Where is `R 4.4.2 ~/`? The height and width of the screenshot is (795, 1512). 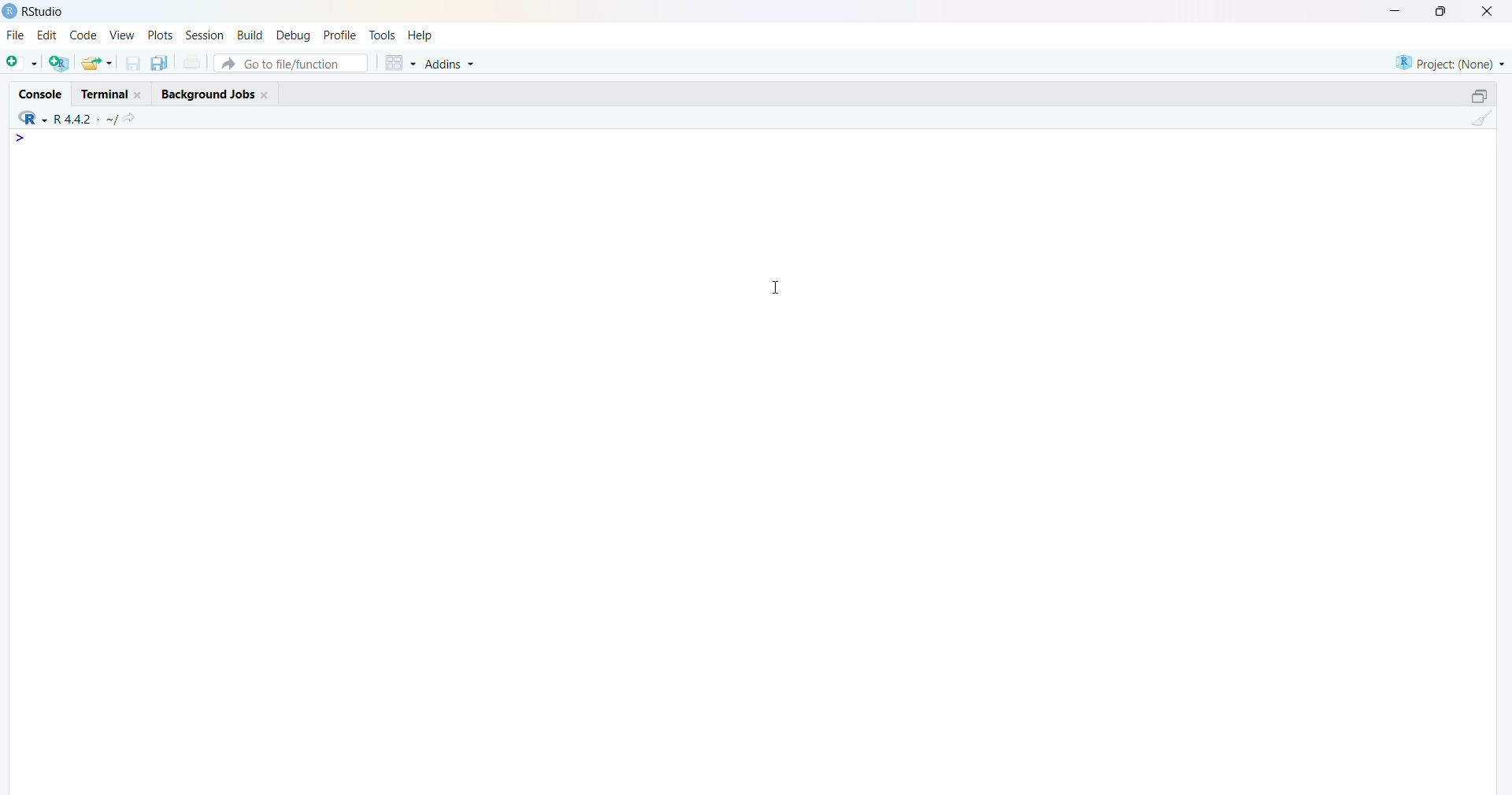 R 4.4.2 ~/ is located at coordinates (87, 119).